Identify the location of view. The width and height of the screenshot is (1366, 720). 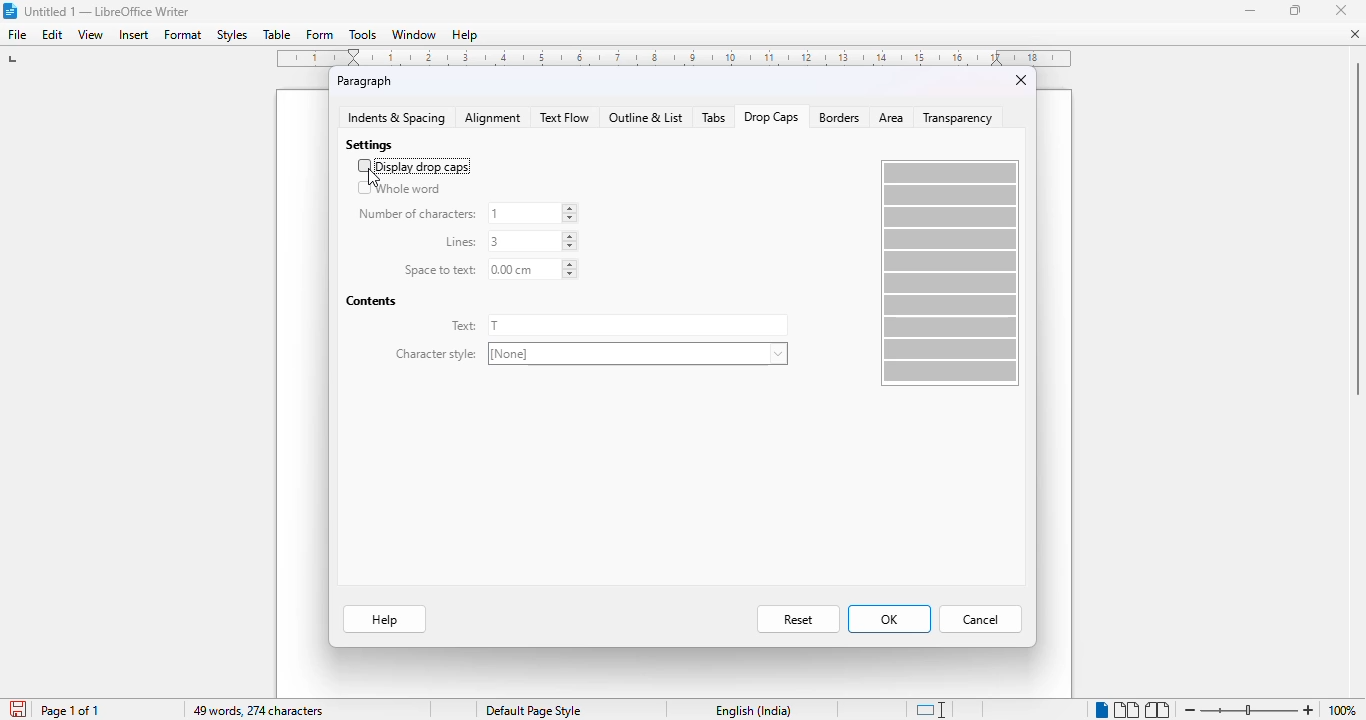
(90, 35).